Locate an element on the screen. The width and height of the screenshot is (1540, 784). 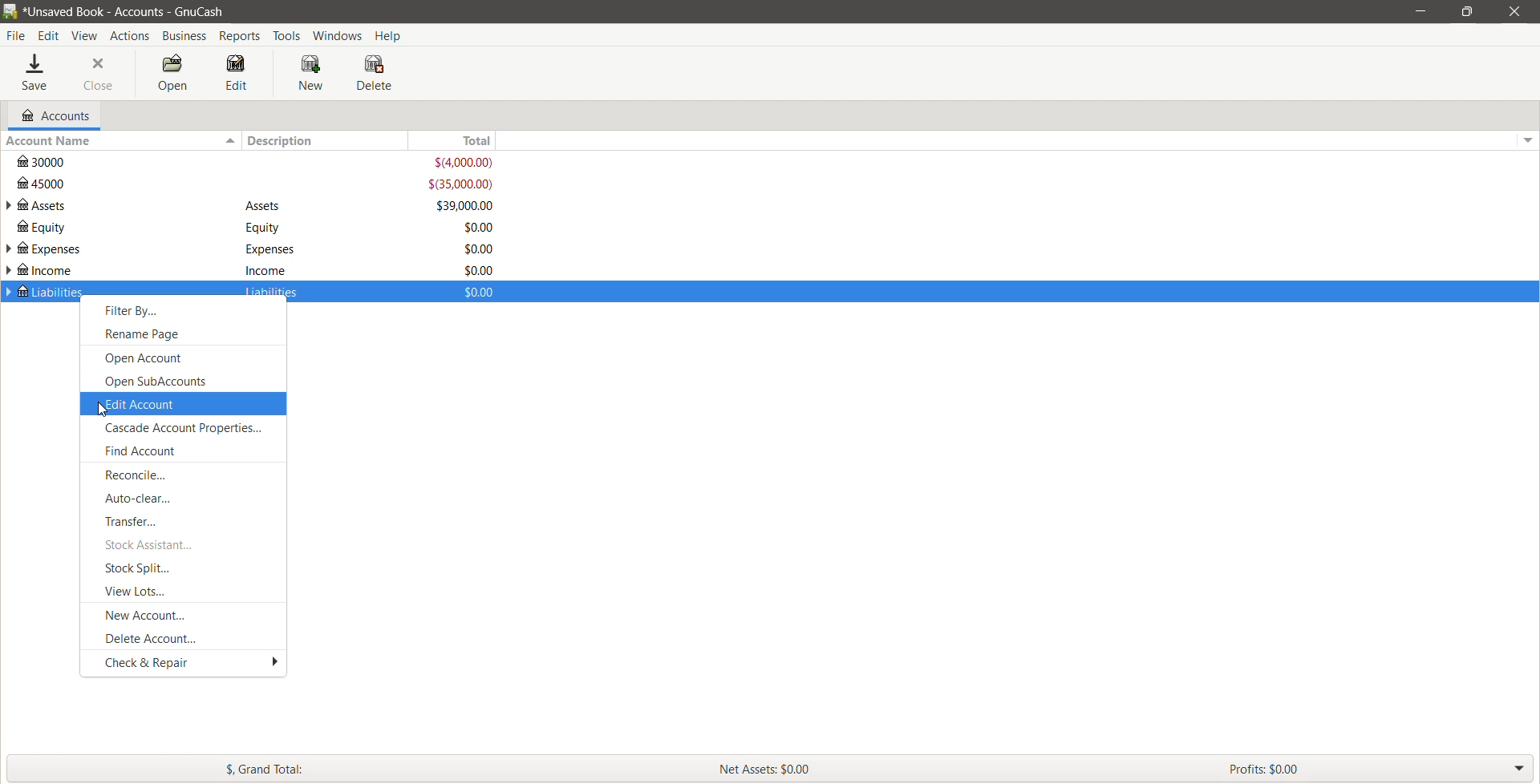
Reconcile is located at coordinates (146, 475).